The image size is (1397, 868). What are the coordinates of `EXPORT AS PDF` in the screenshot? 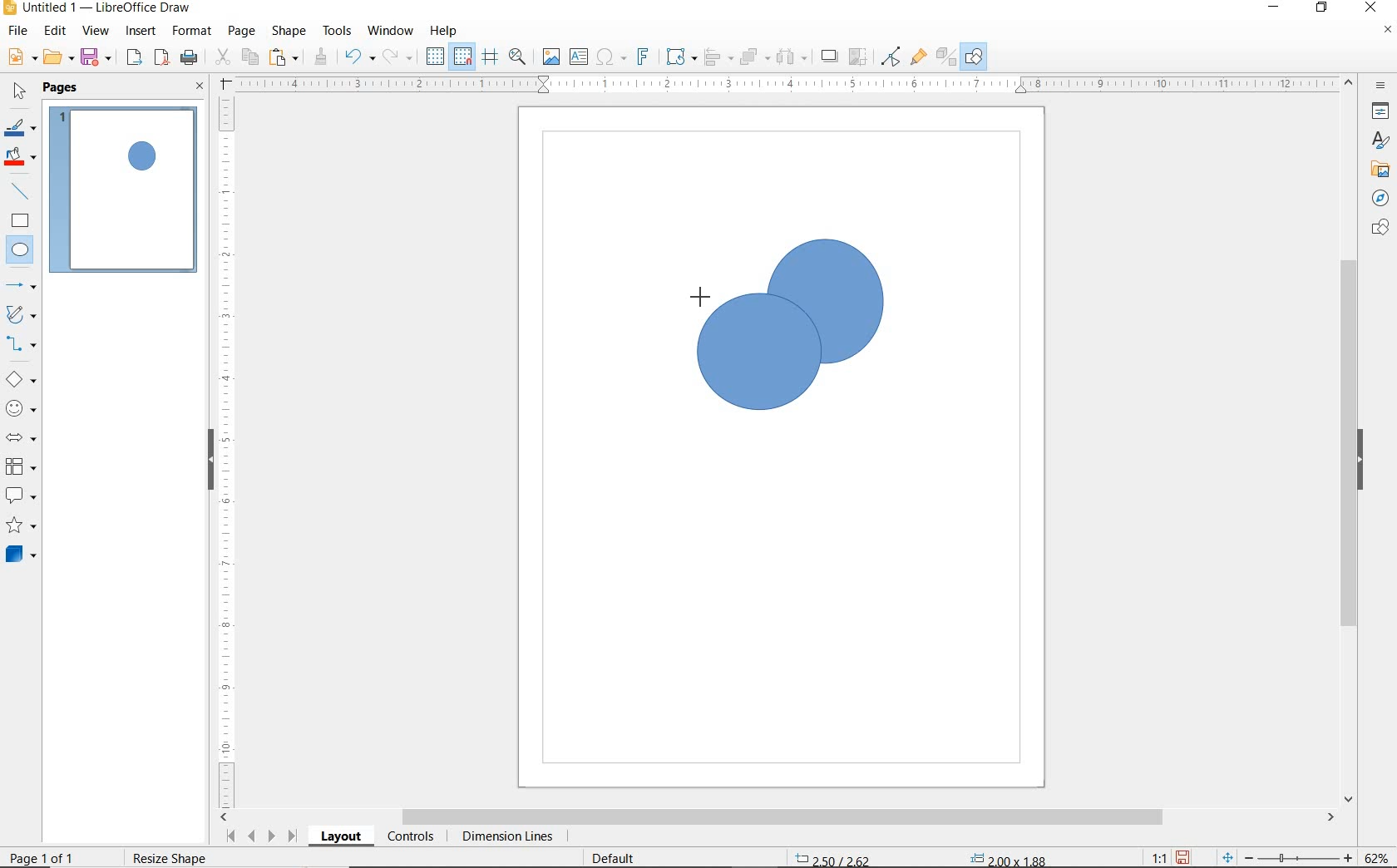 It's located at (162, 59).